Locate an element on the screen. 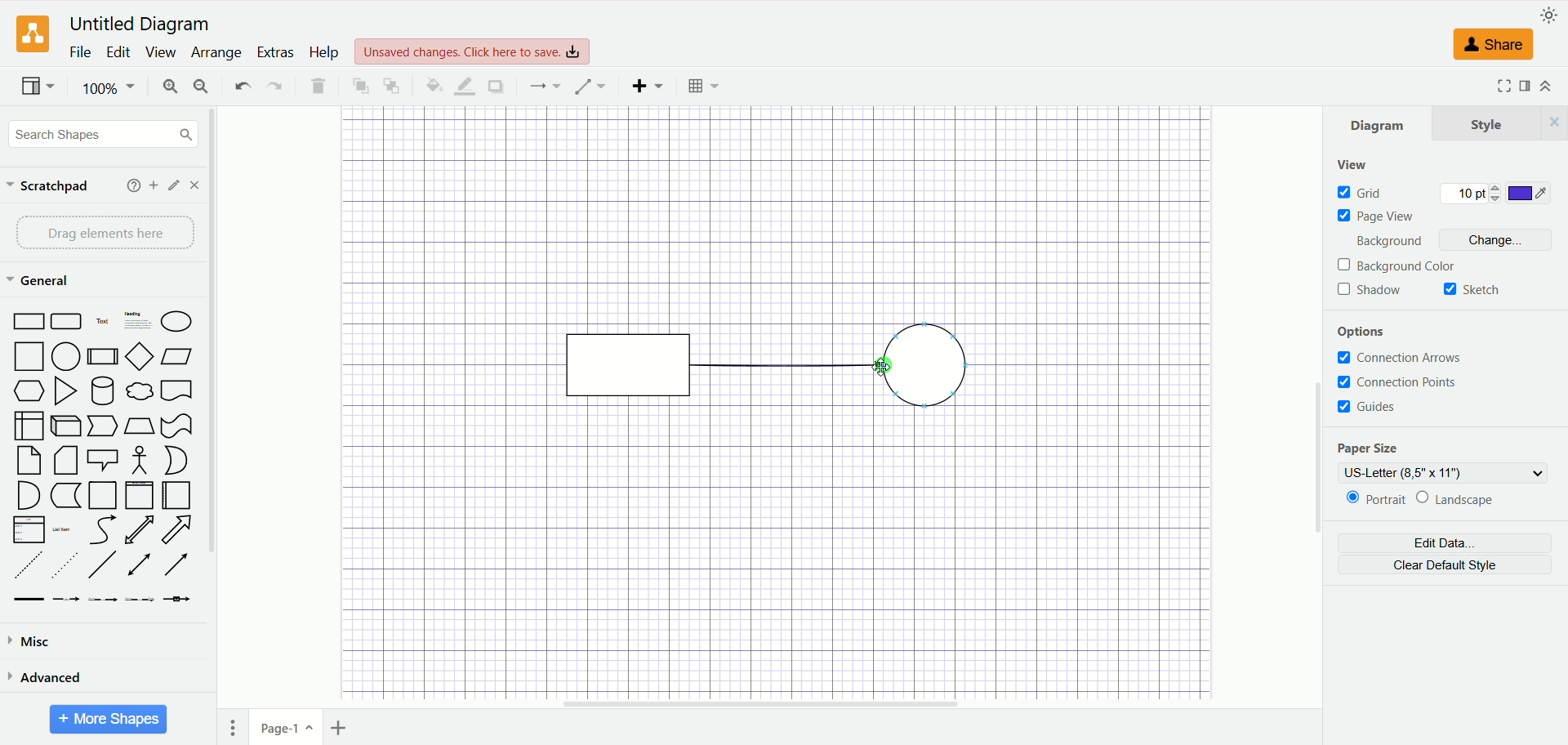 Image resolution: width=1568 pixels, height=745 pixels. connection points is located at coordinates (1396, 381).